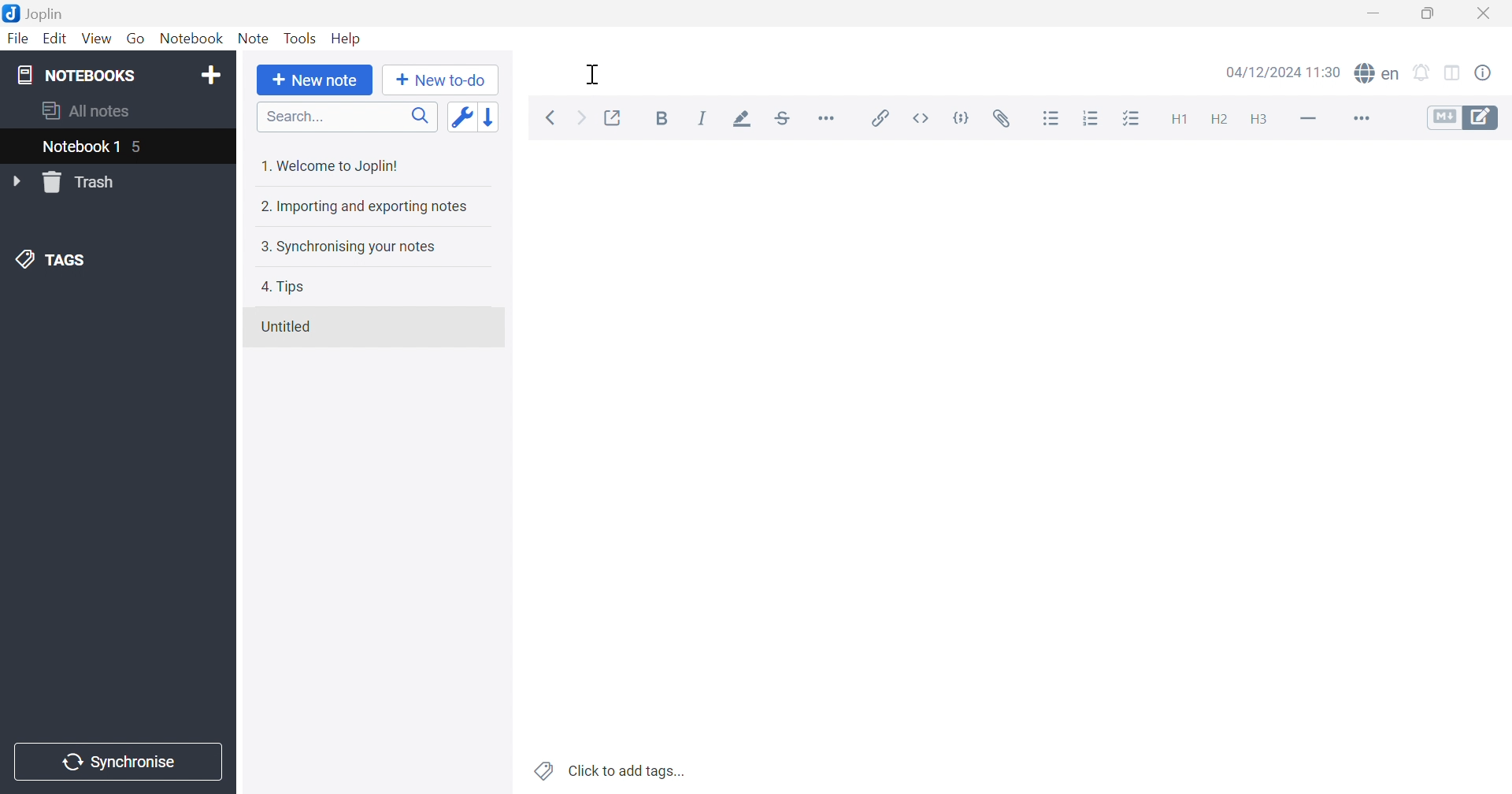  I want to click on Minimize, so click(1372, 14).